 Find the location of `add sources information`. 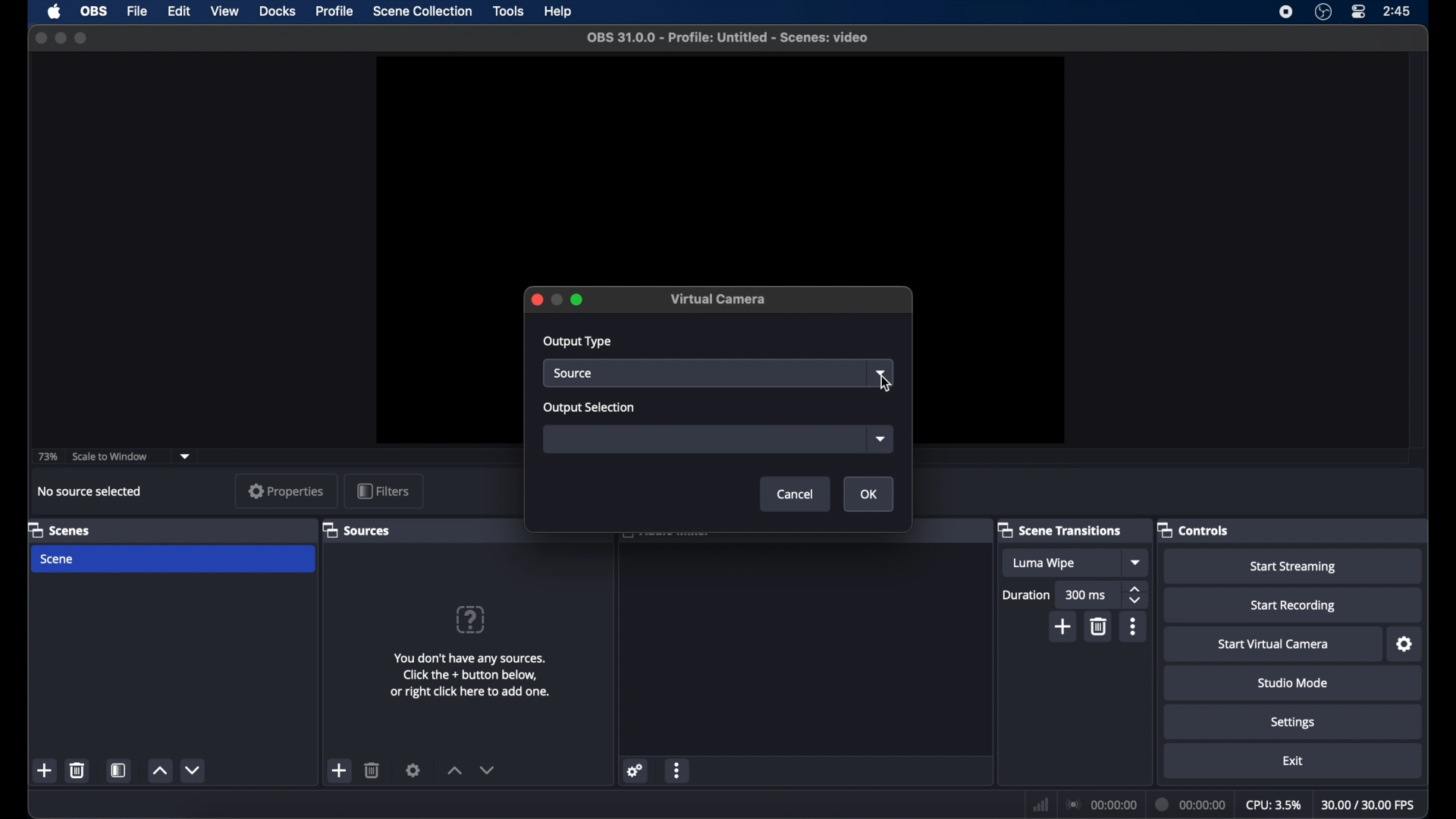

add sources information is located at coordinates (469, 675).